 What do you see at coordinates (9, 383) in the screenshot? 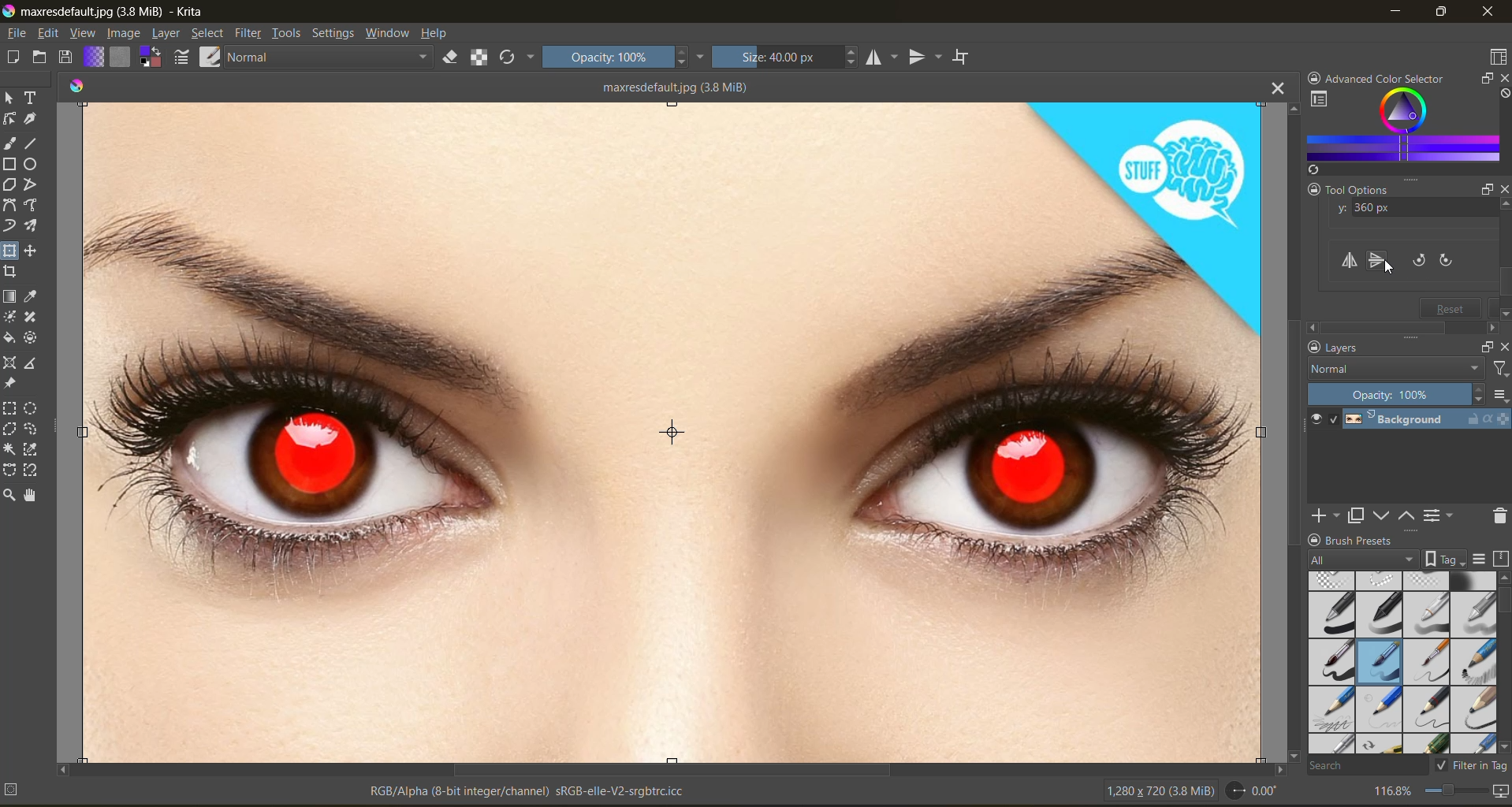
I see `tool` at bounding box center [9, 383].